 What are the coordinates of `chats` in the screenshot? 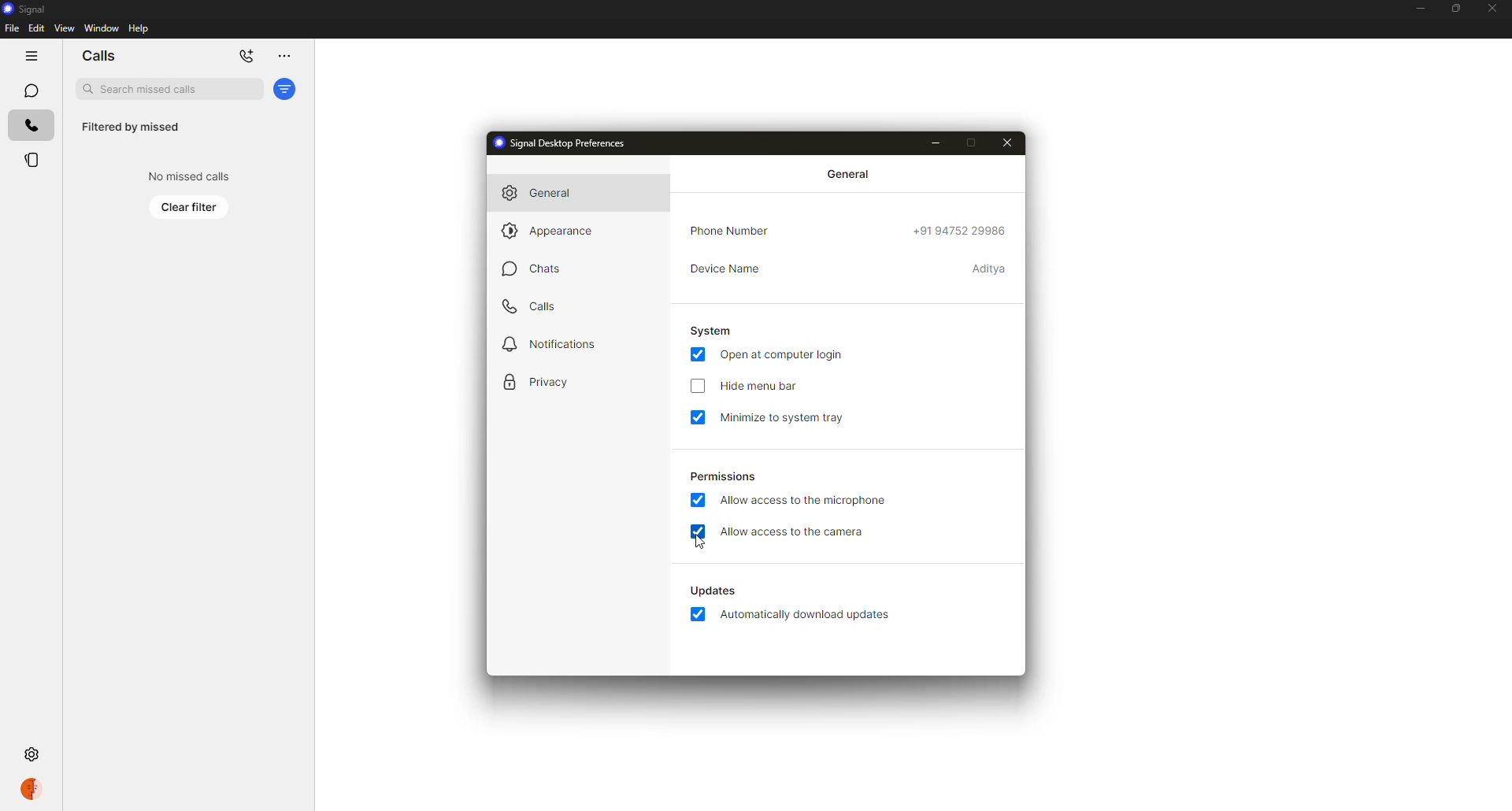 It's located at (29, 90).